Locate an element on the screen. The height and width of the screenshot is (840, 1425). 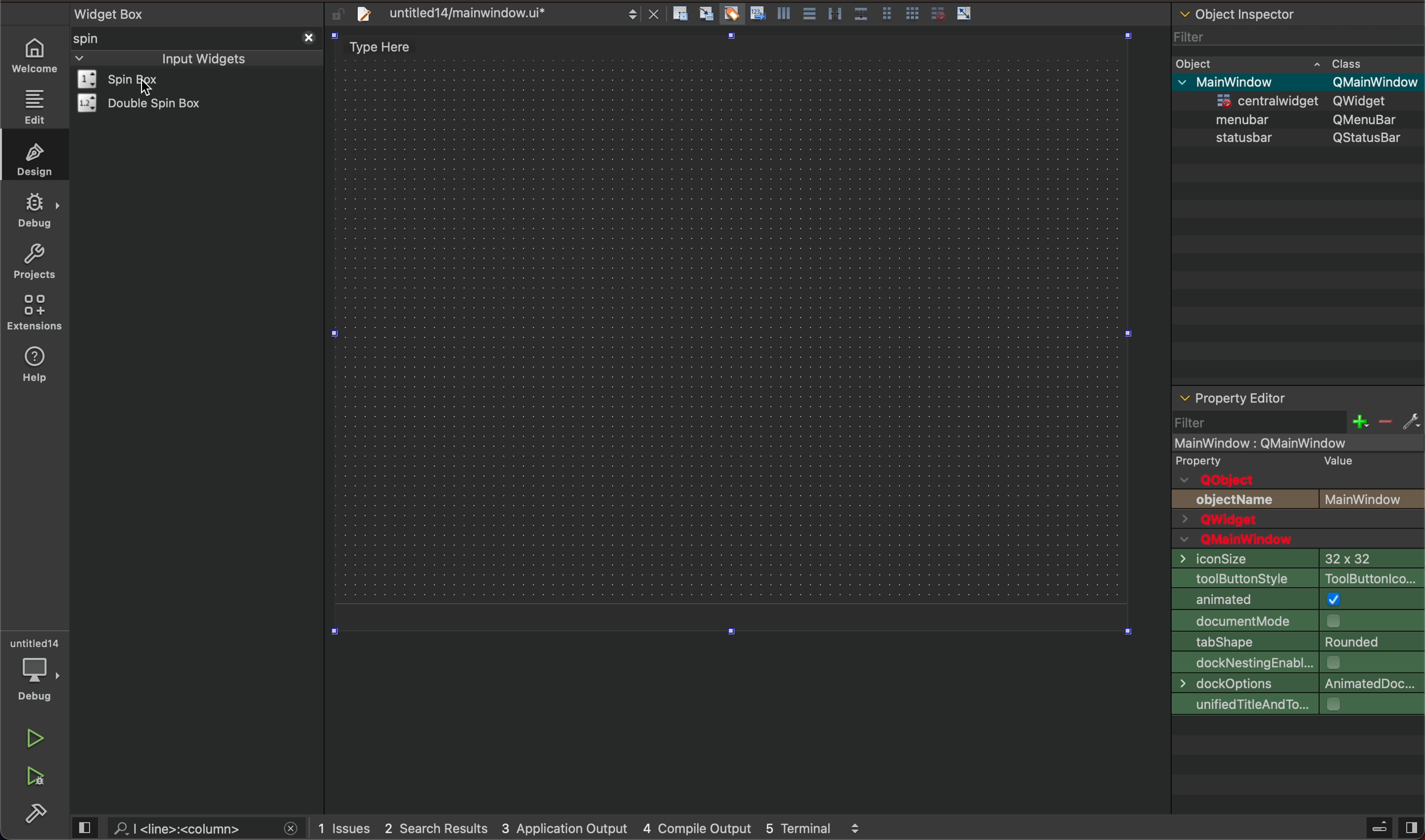
layout action is located at coordinates (827, 11).